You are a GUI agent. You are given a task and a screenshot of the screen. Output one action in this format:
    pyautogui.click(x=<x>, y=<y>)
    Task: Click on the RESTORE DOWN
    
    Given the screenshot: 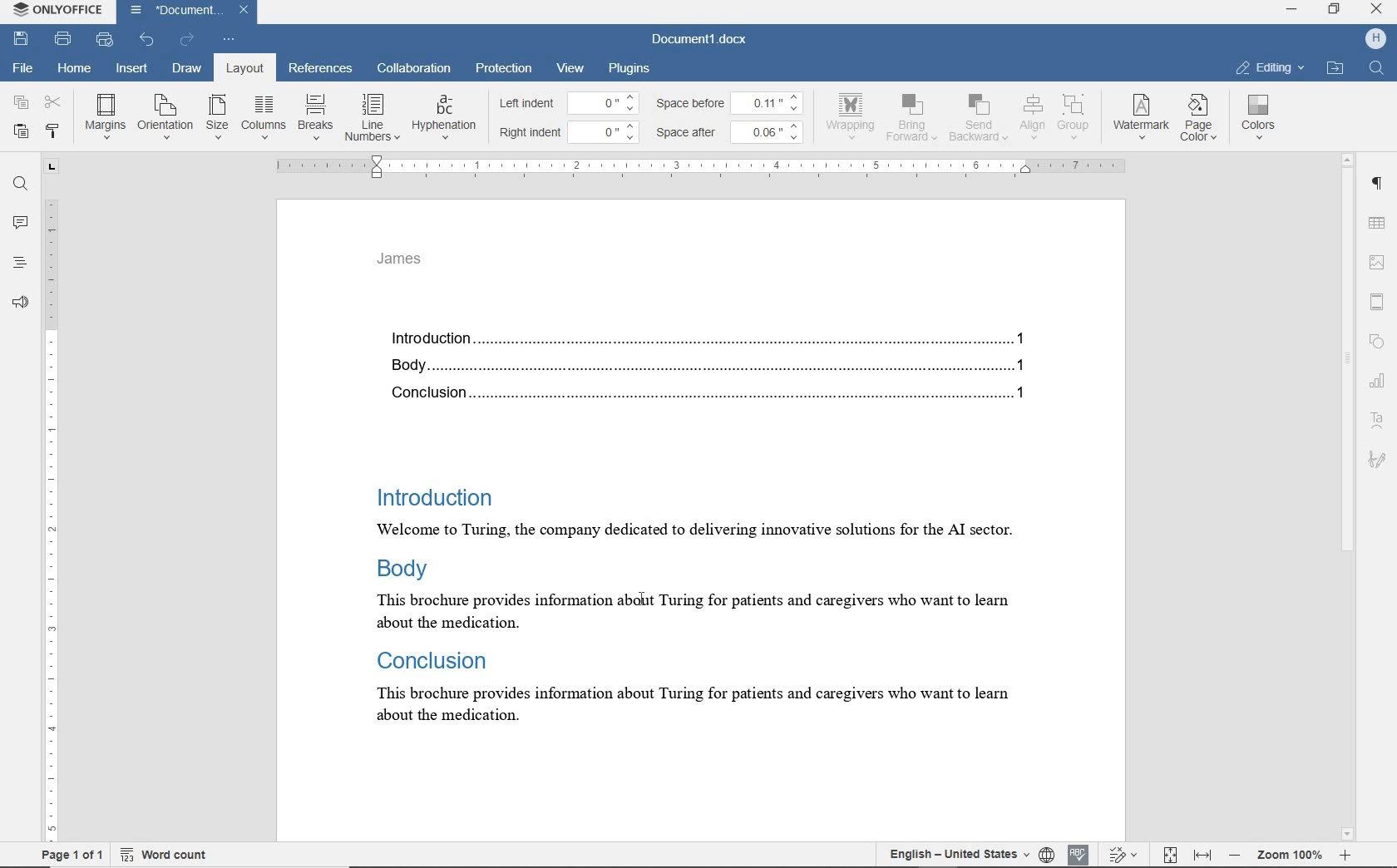 What is the action you would take?
    pyautogui.click(x=1337, y=11)
    